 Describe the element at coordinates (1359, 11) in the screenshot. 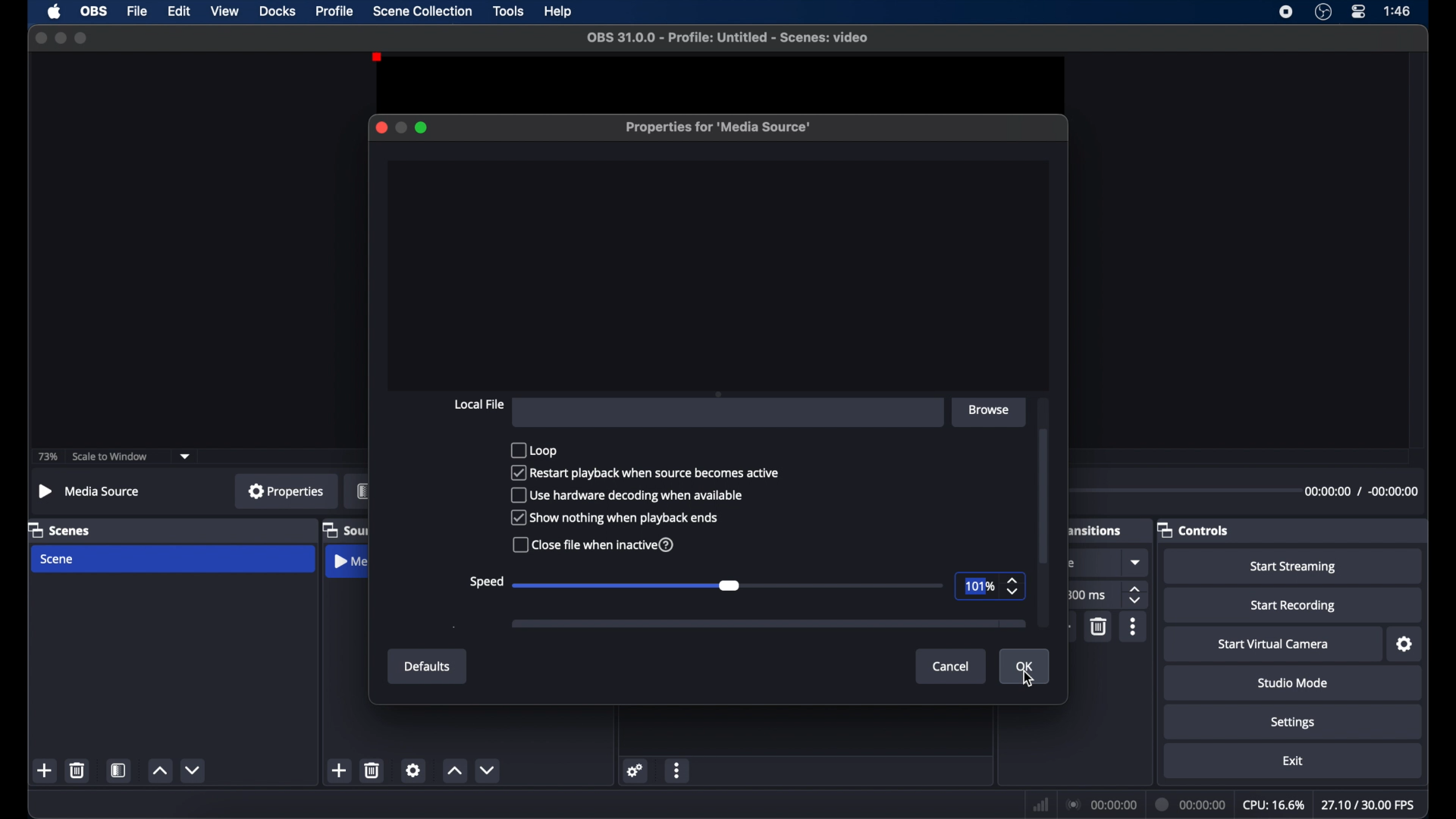

I see `control center` at that location.